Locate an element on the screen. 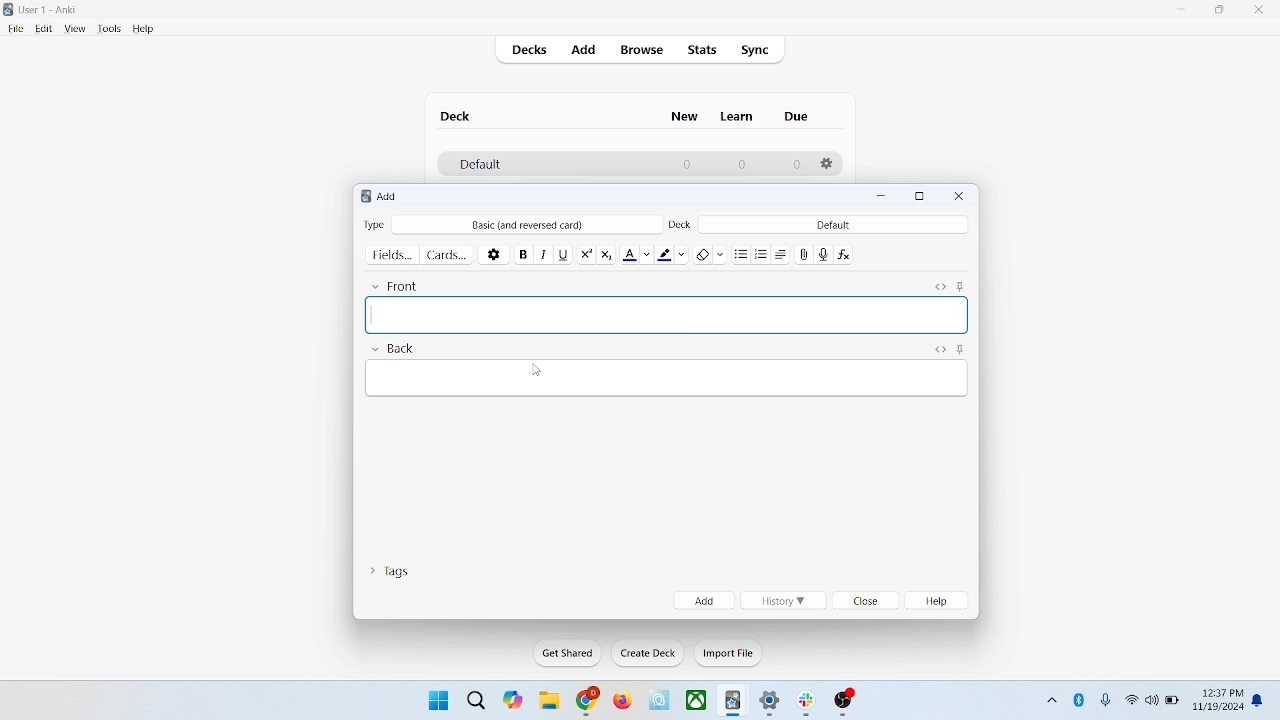 This screenshot has width=1280, height=720. add is located at coordinates (585, 51).